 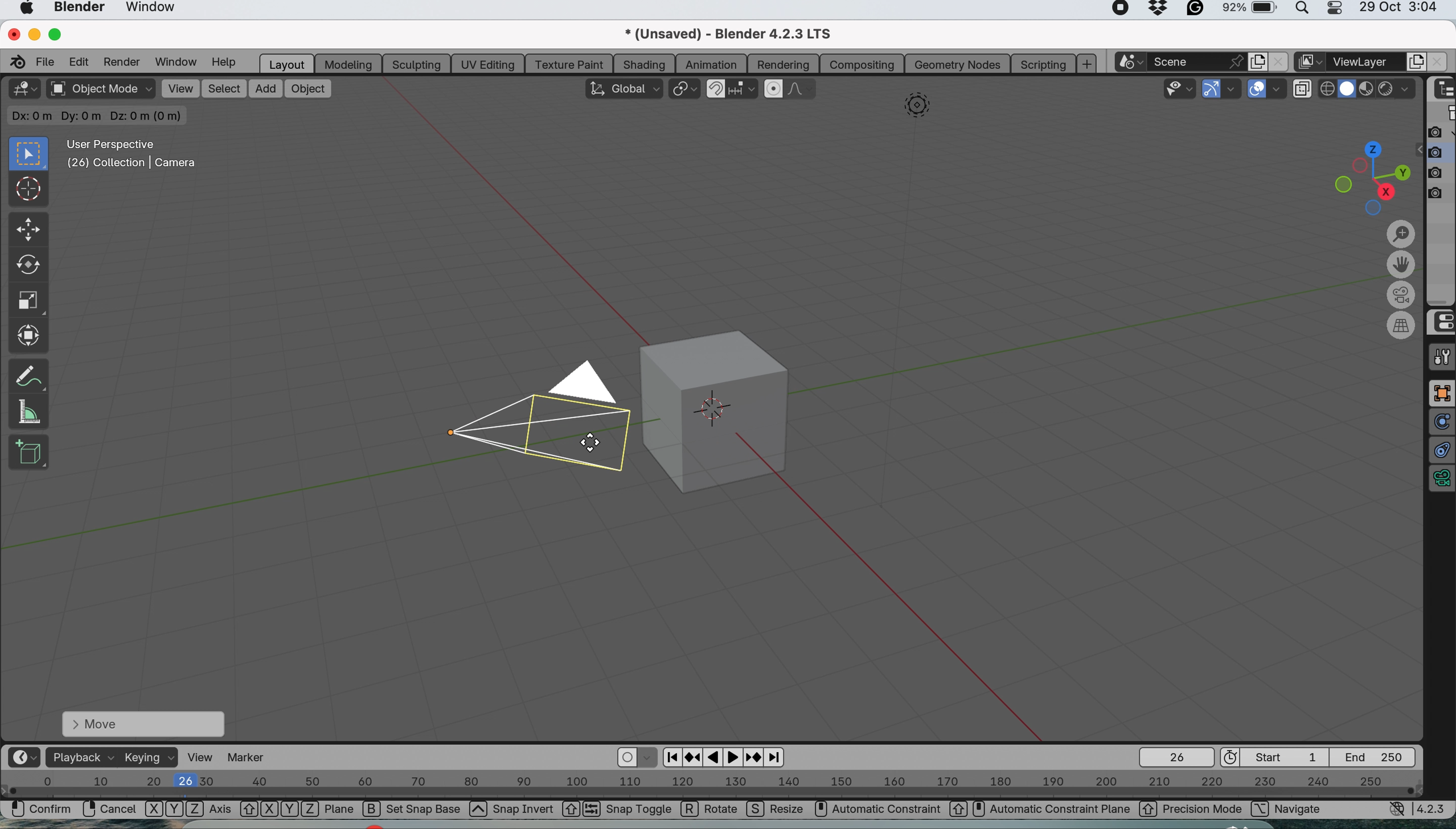 What do you see at coordinates (568, 64) in the screenshot?
I see `texture paint` at bounding box center [568, 64].